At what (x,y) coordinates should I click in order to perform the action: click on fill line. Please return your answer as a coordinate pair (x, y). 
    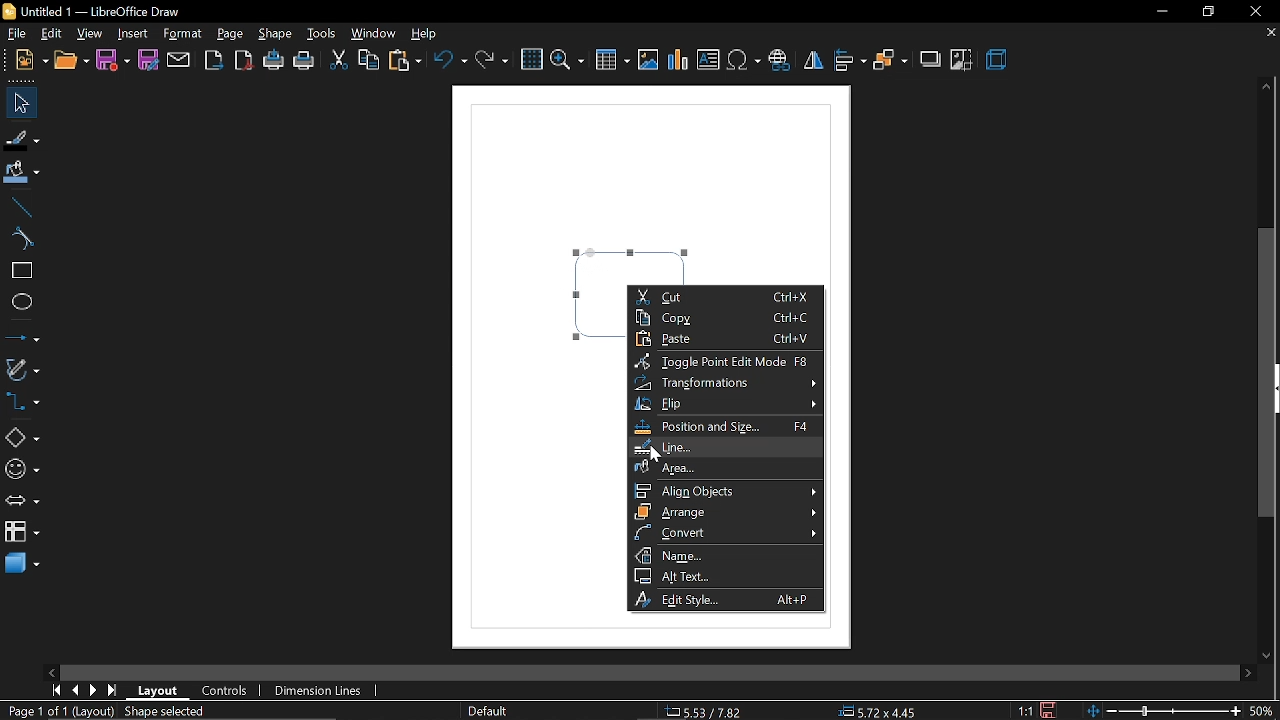
    Looking at the image, I should click on (22, 138).